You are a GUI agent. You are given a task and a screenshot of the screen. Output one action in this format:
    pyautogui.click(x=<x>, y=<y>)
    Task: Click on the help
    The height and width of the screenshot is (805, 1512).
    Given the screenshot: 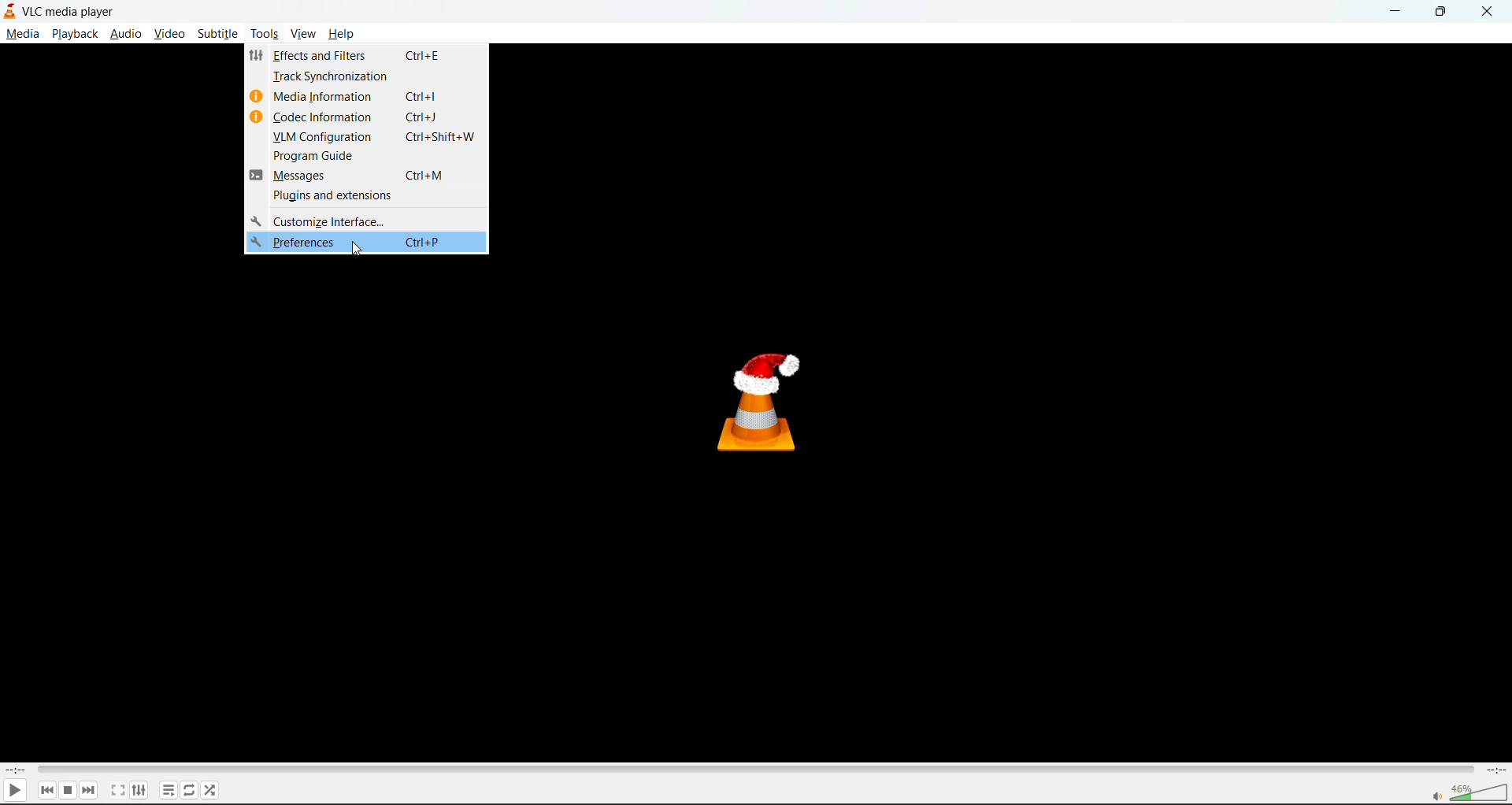 What is the action you would take?
    pyautogui.click(x=339, y=35)
    